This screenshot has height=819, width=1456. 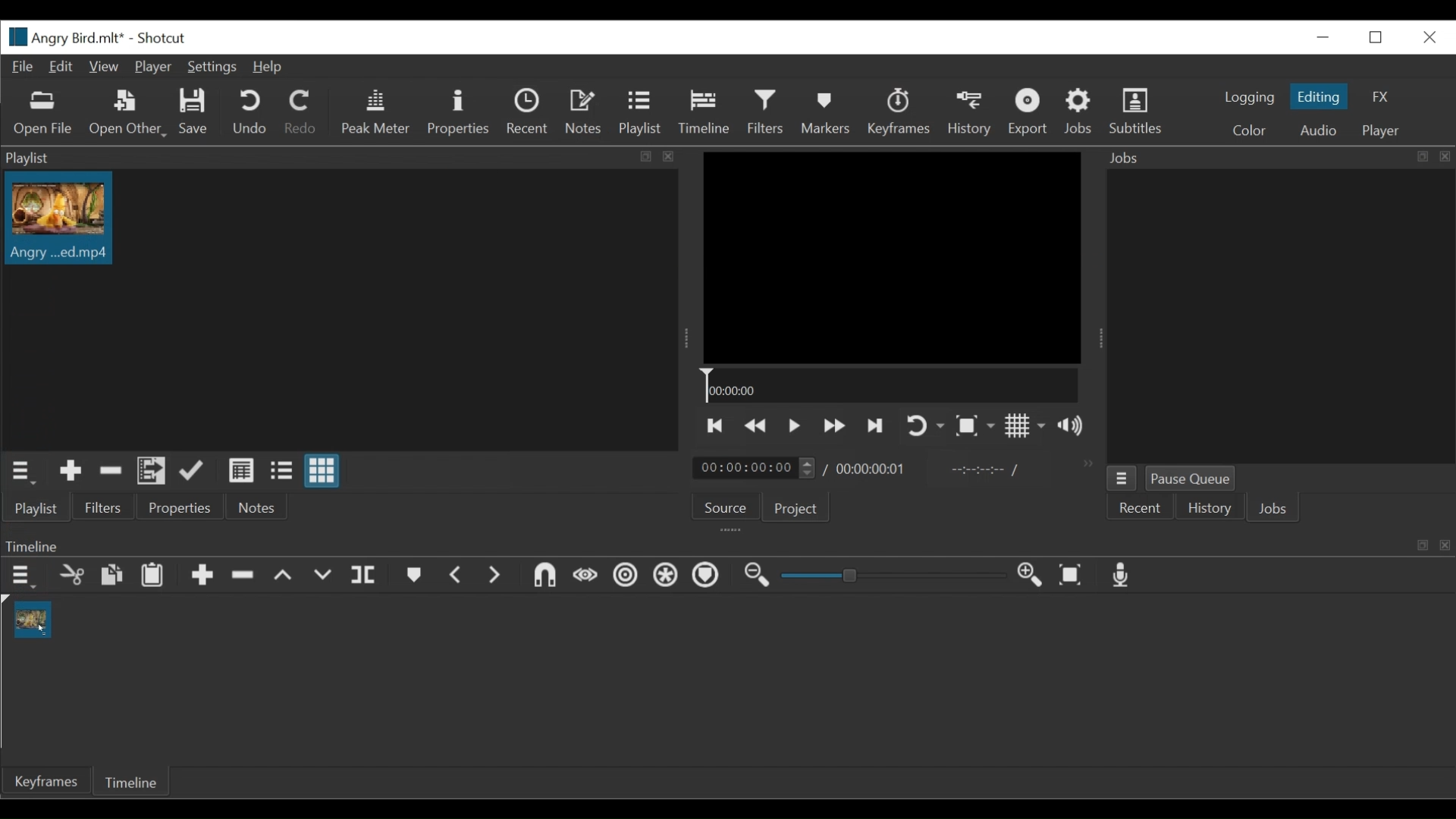 What do you see at coordinates (152, 471) in the screenshot?
I see `Add the playlist to` at bounding box center [152, 471].